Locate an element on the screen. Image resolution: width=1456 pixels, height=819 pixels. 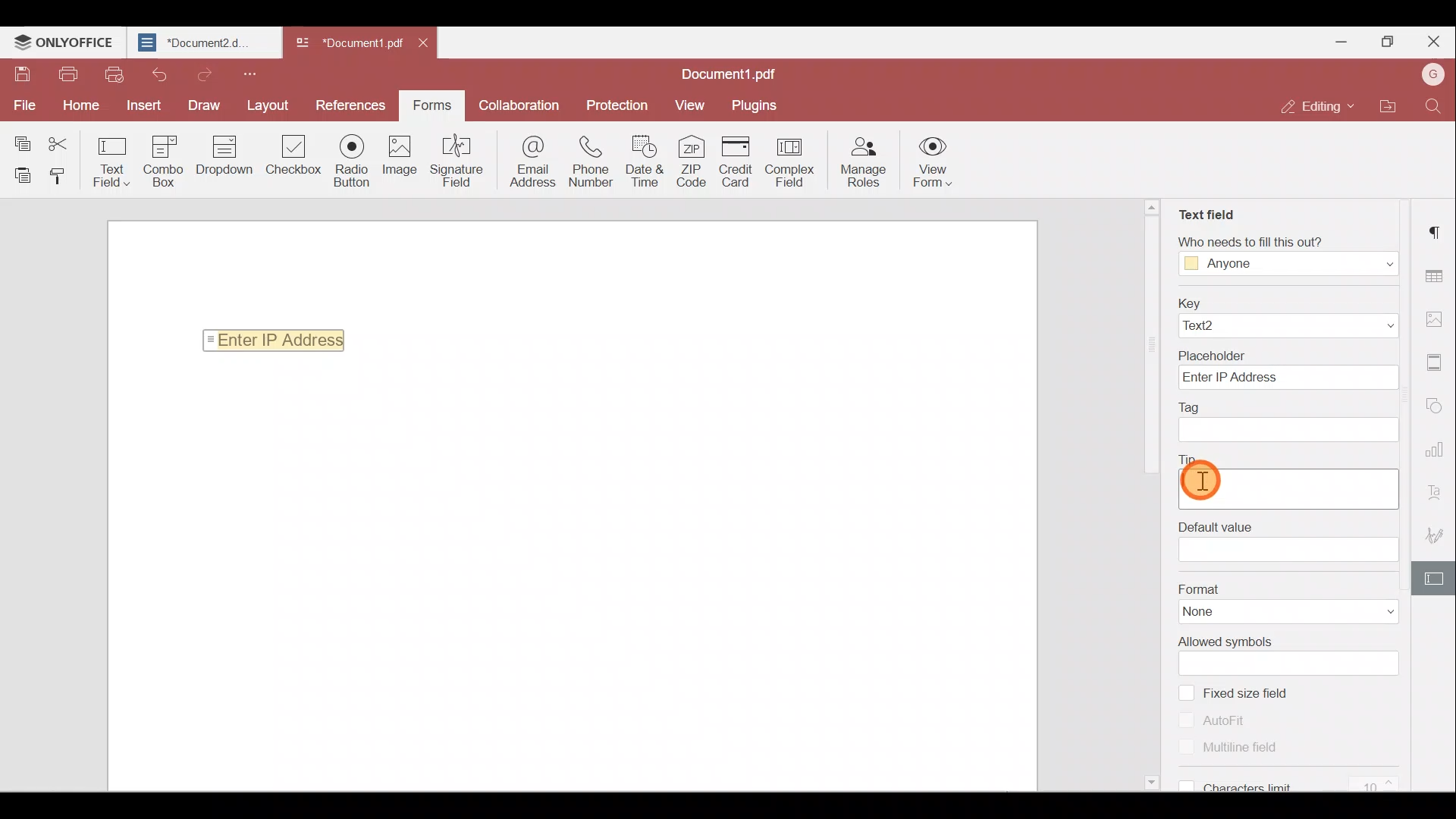
Minimize is located at coordinates (1343, 40).